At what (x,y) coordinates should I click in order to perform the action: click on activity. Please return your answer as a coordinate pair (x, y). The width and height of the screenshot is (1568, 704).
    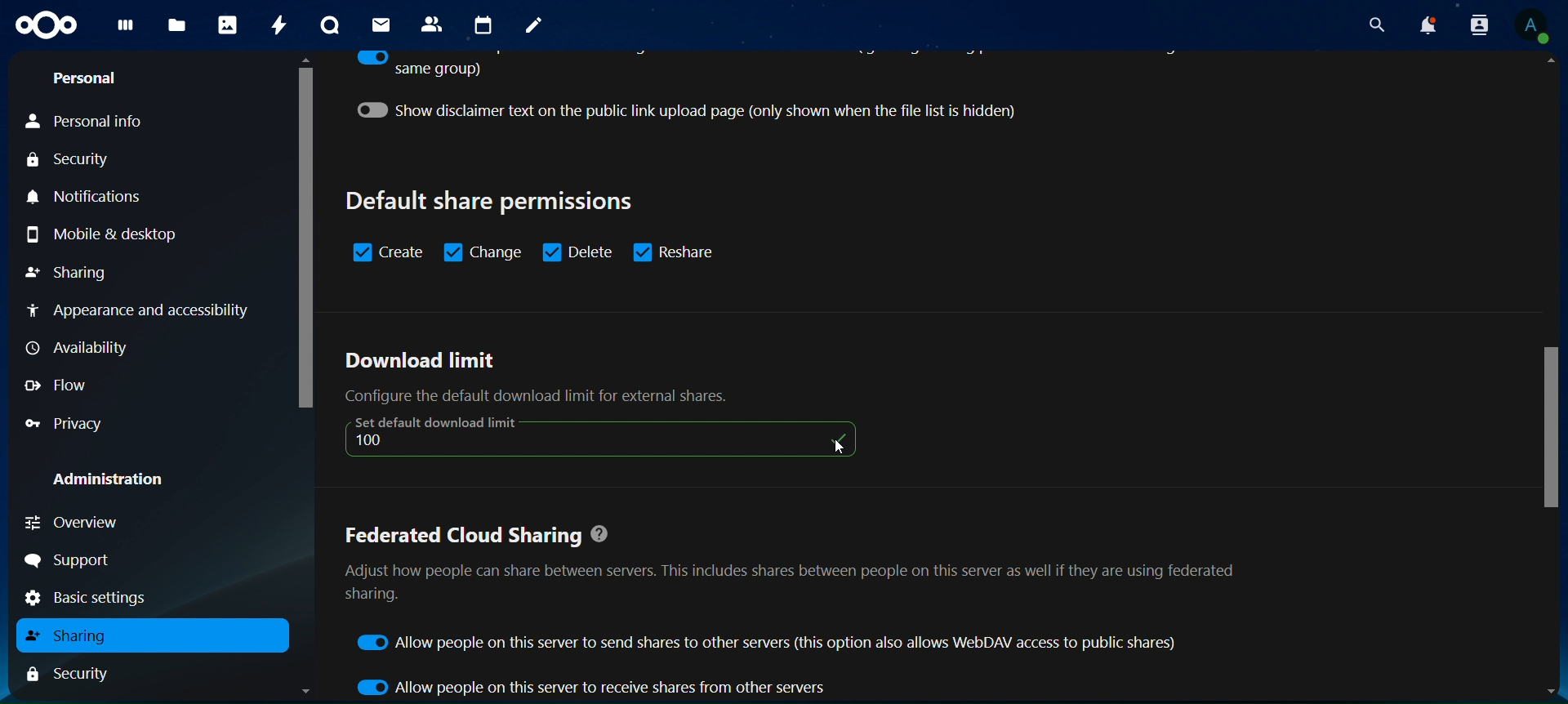
    Looking at the image, I should click on (278, 26).